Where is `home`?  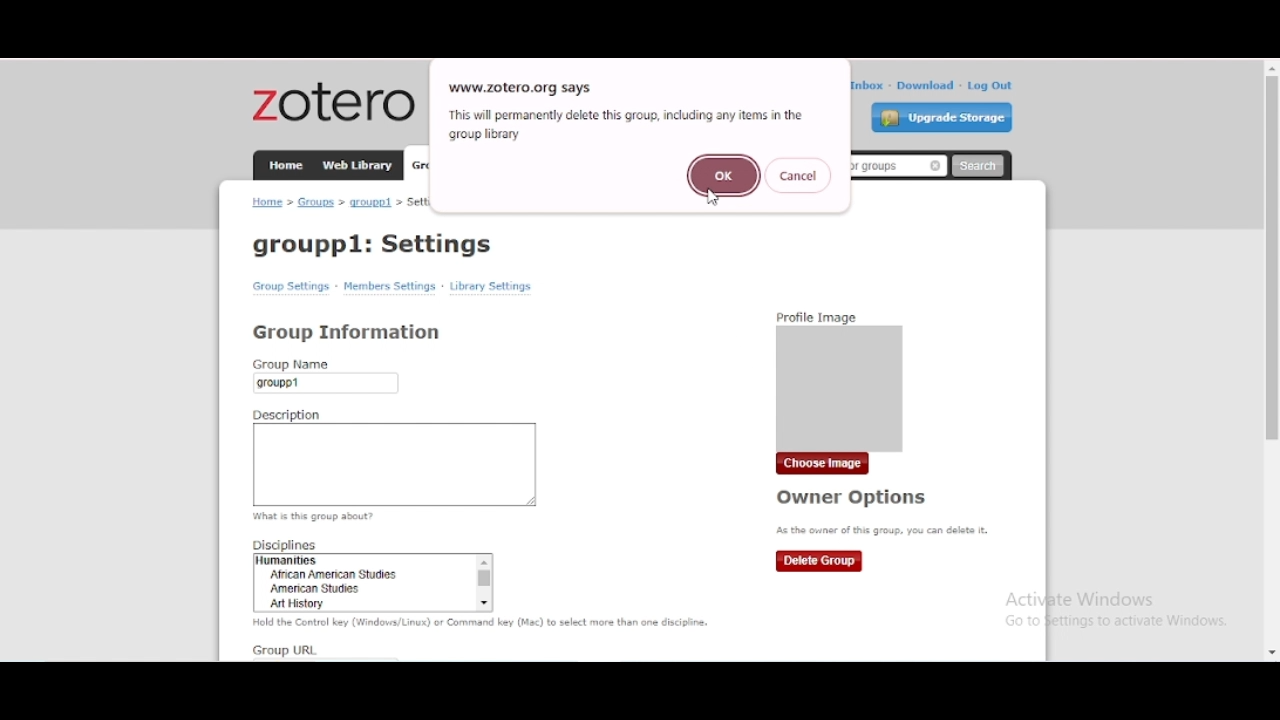 home is located at coordinates (267, 201).